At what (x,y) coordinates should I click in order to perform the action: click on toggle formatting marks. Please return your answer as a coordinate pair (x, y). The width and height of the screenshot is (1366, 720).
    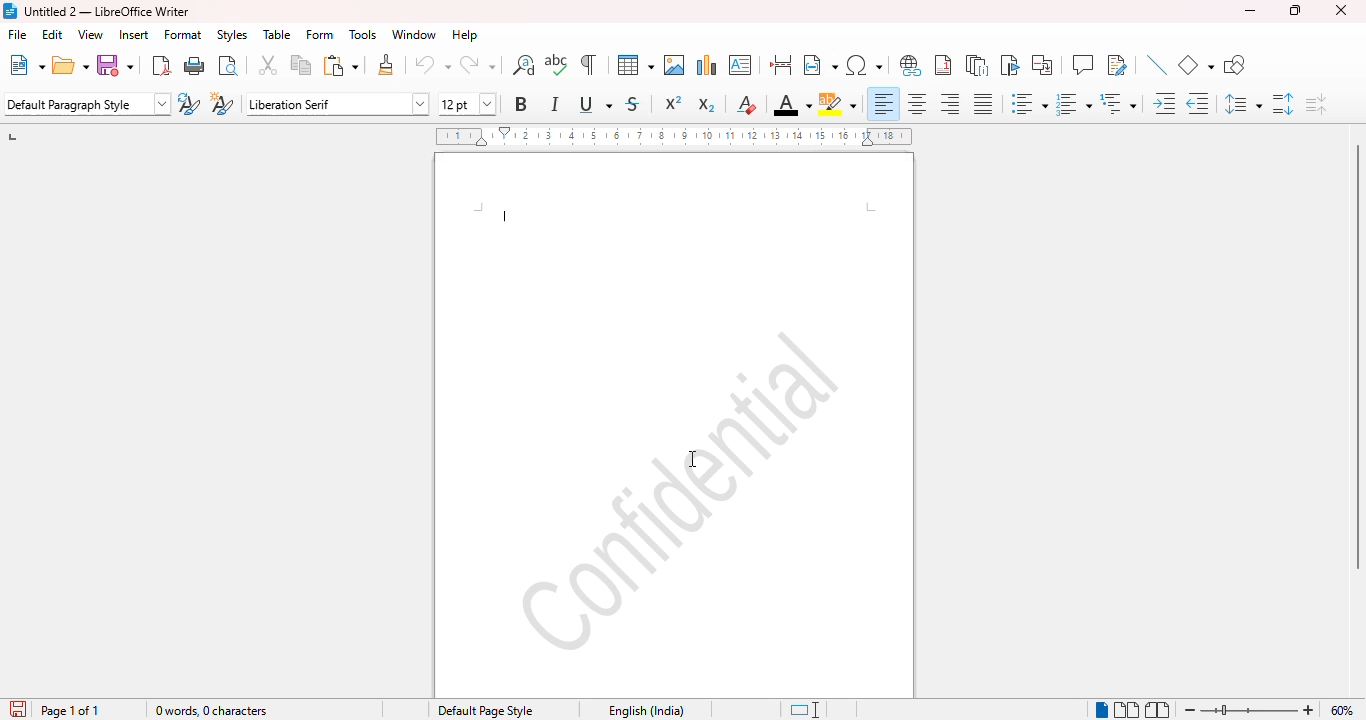
    Looking at the image, I should click on (587, 64).